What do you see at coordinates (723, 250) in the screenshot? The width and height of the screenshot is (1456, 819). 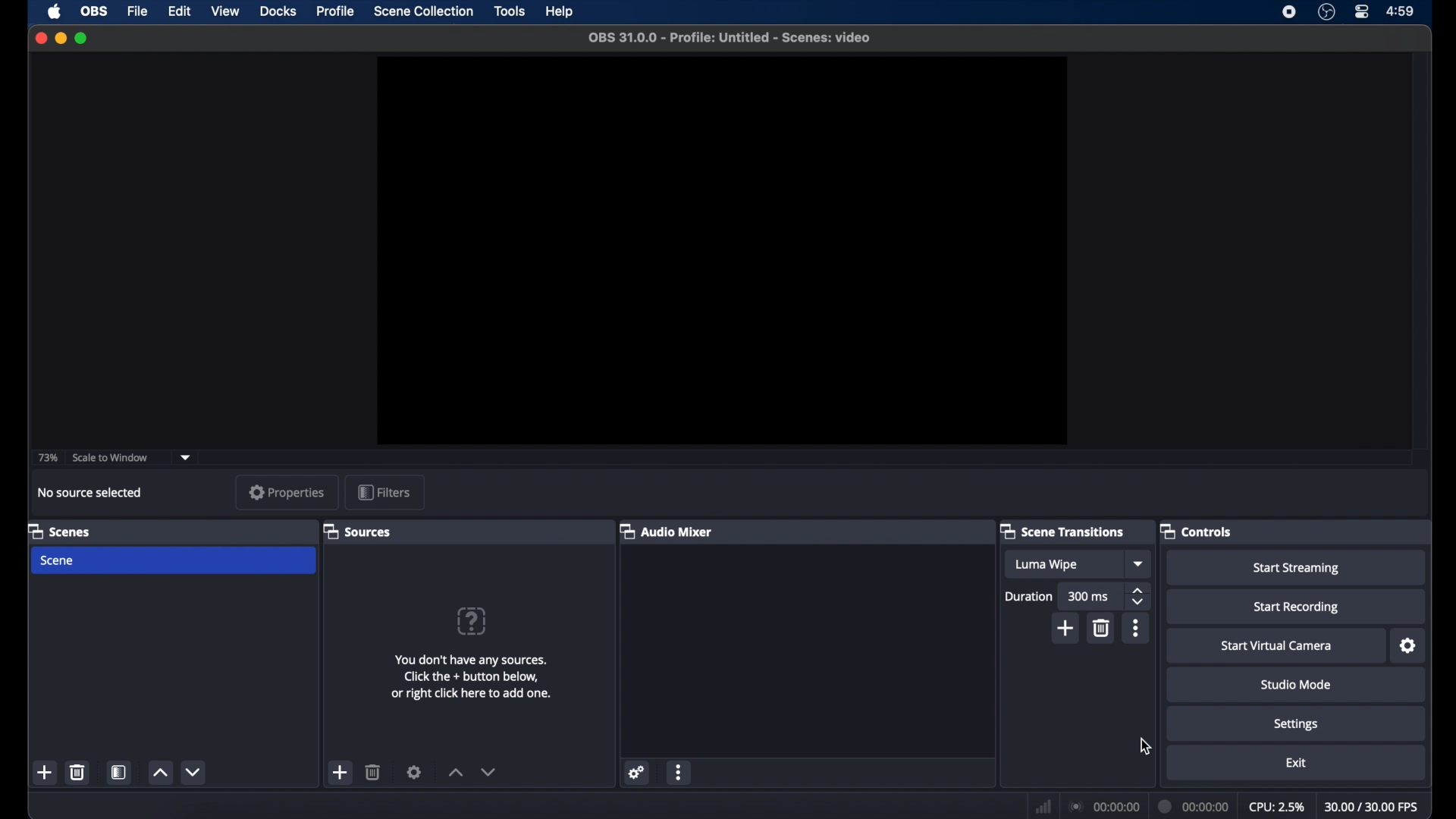 I see `preview` at bounding box center [723, 250].